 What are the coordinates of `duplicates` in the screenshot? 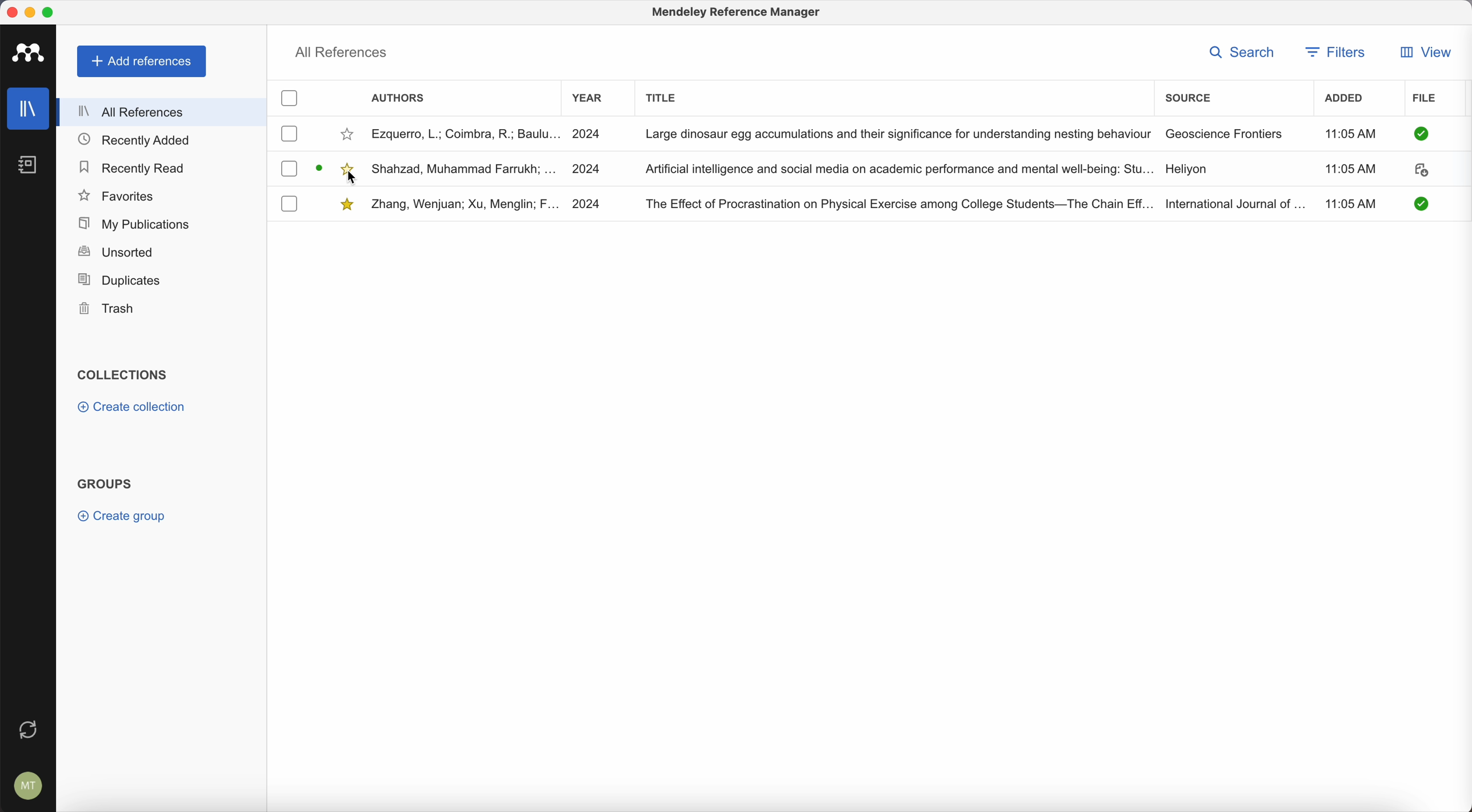 It's located at (119, 280).